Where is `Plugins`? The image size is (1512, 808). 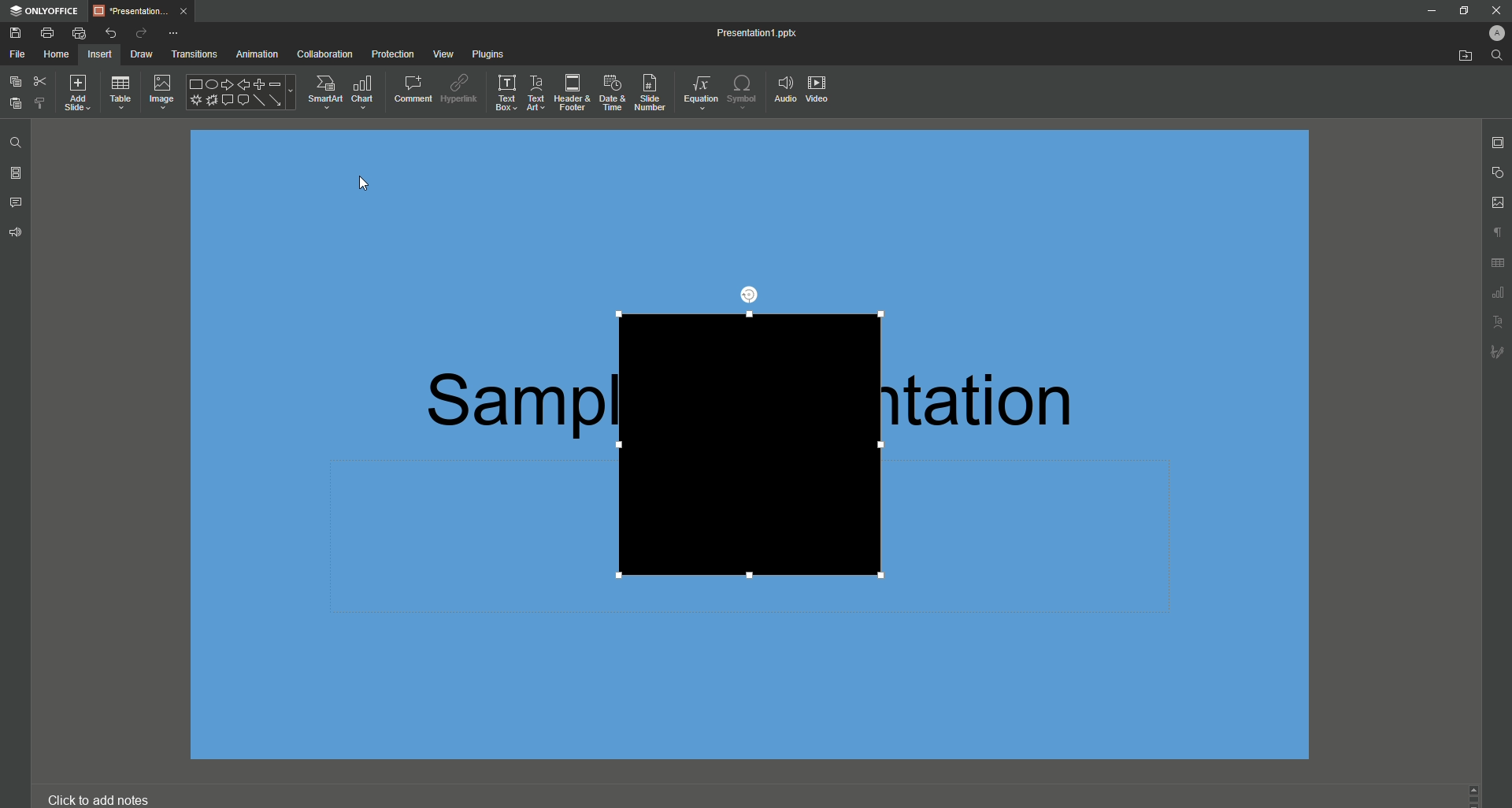
Plugins is located at coordinates (486, 52).